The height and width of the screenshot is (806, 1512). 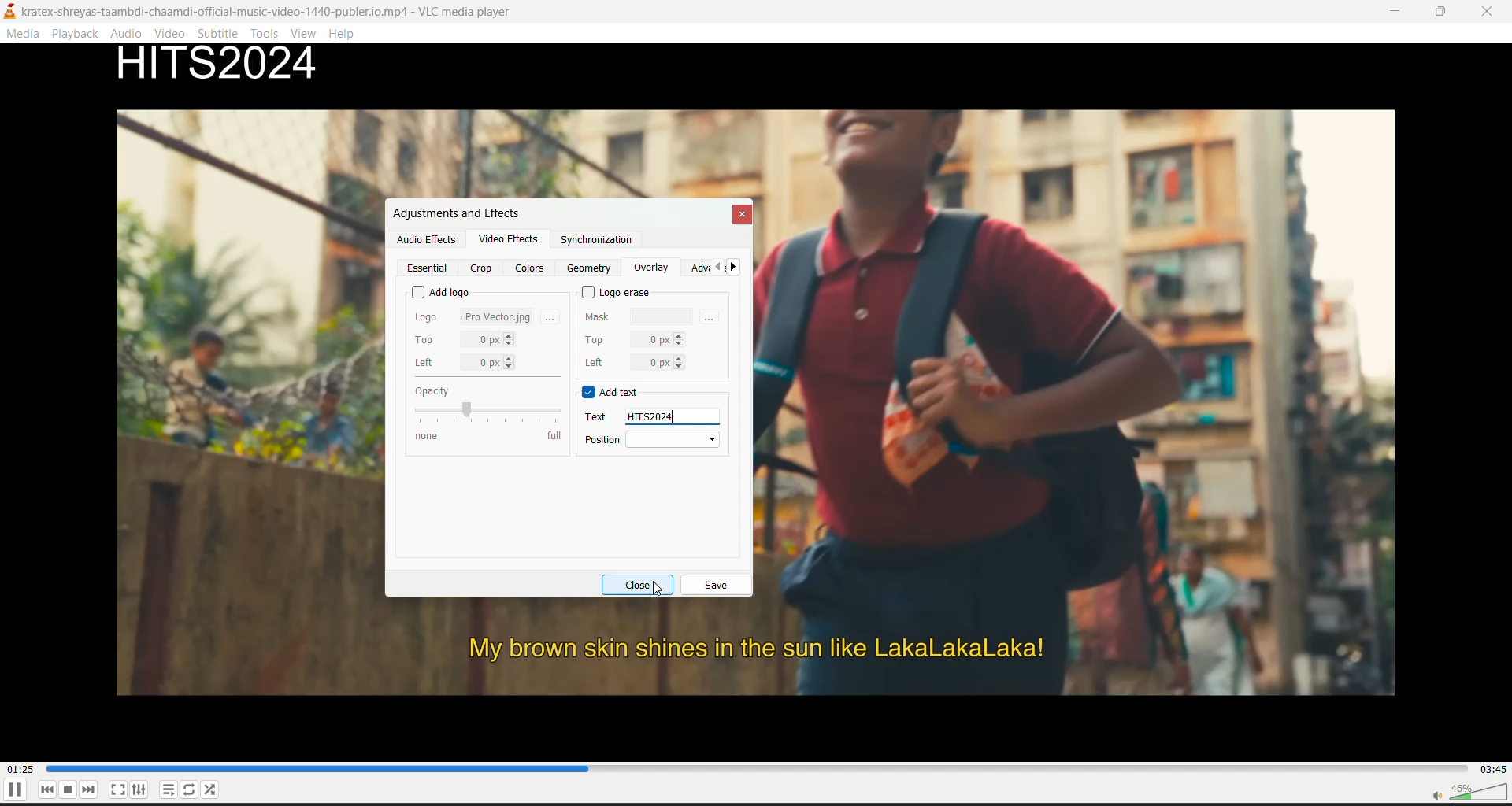 I want to click on pause, so click(x=15, y=792).